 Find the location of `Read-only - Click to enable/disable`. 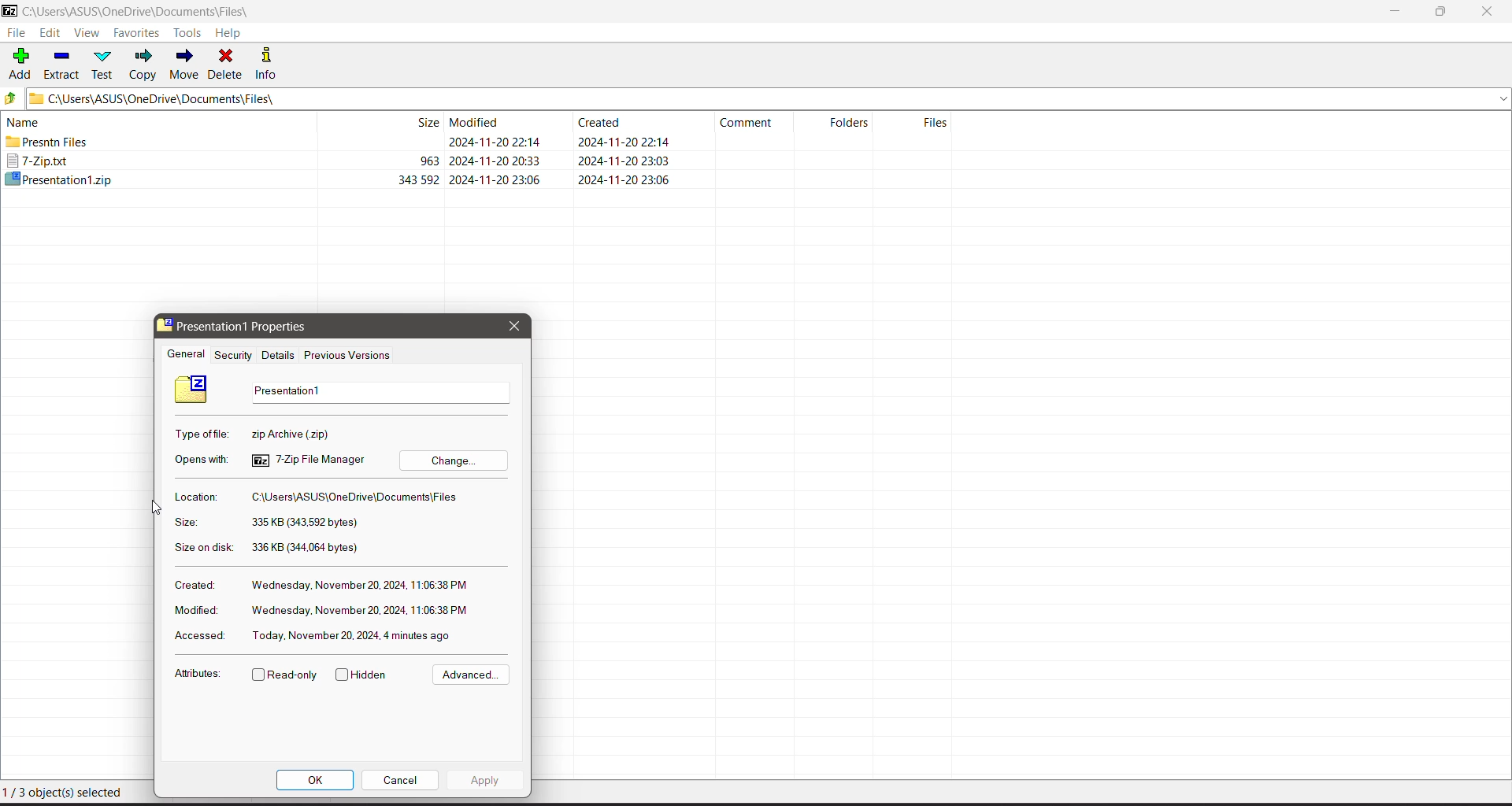

Read-only - Click to enable/disable is located at coordinates (285, 676).